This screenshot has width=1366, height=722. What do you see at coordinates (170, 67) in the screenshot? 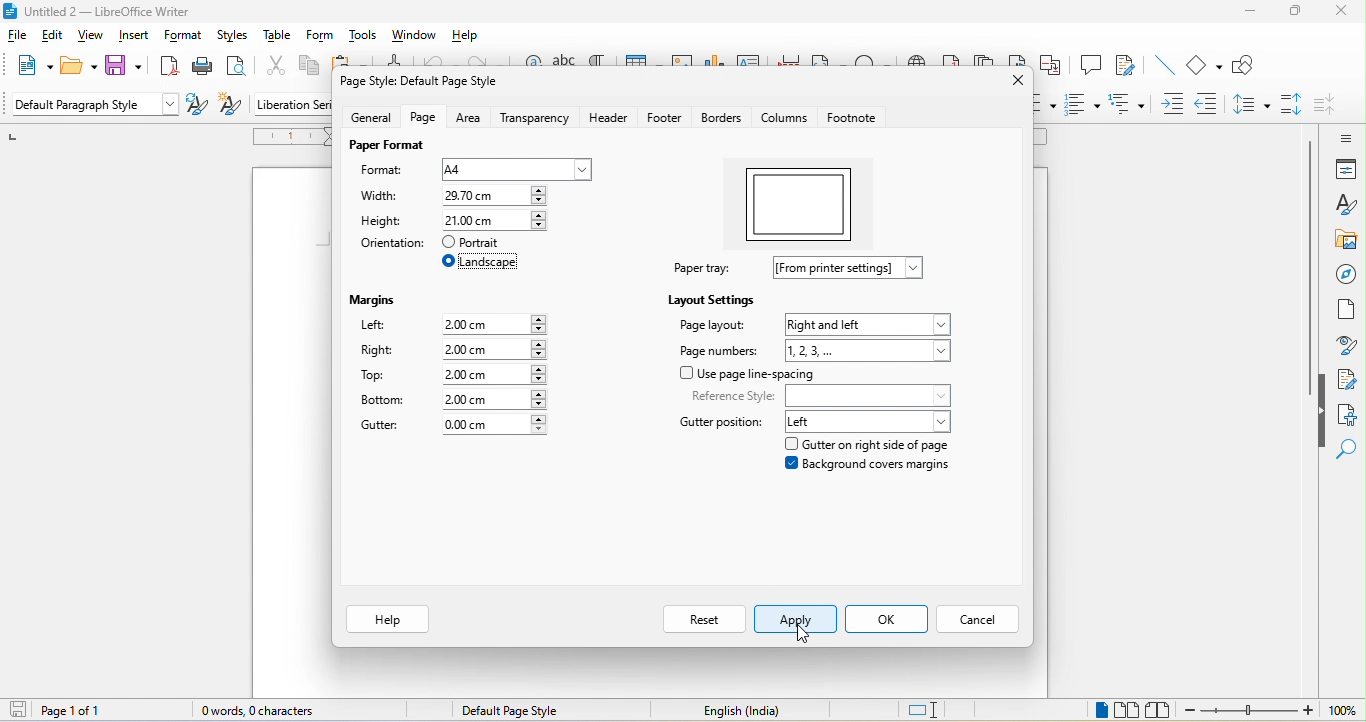
I see `export directly as pdf` at bounding box center [170, 67].